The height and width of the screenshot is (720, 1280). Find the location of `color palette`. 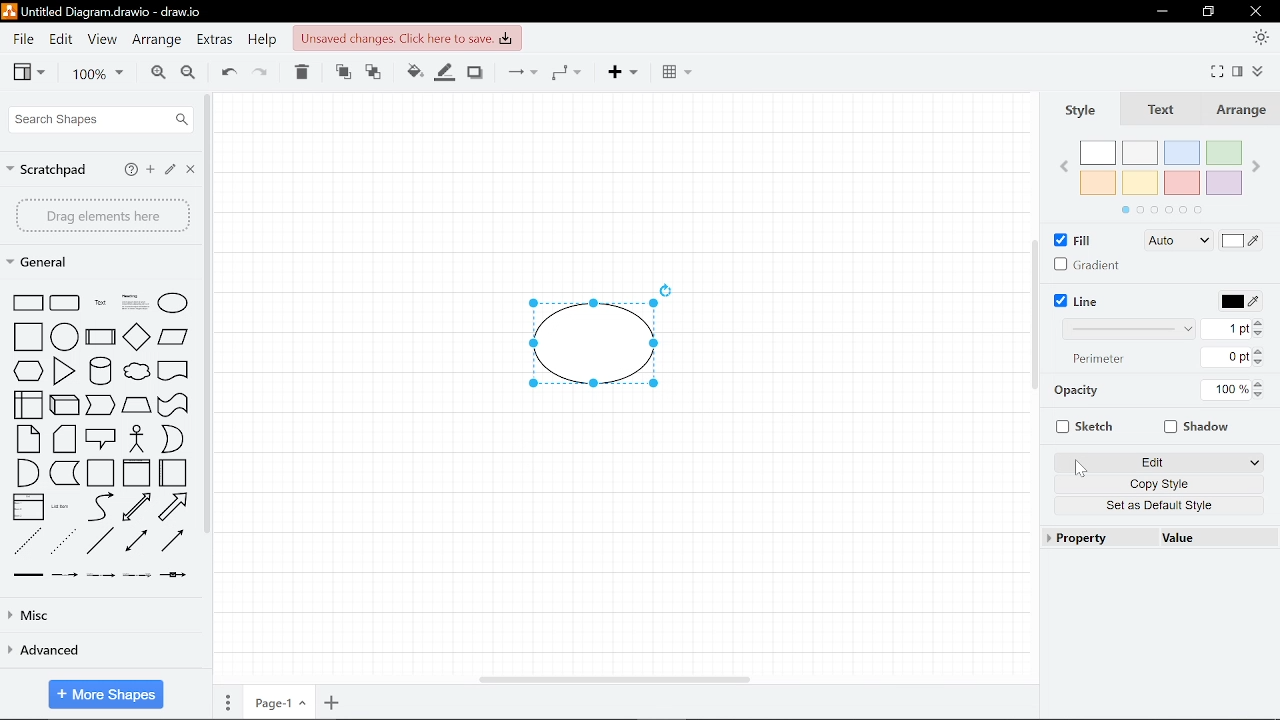

color palette is located at coordinates (1162, 168).